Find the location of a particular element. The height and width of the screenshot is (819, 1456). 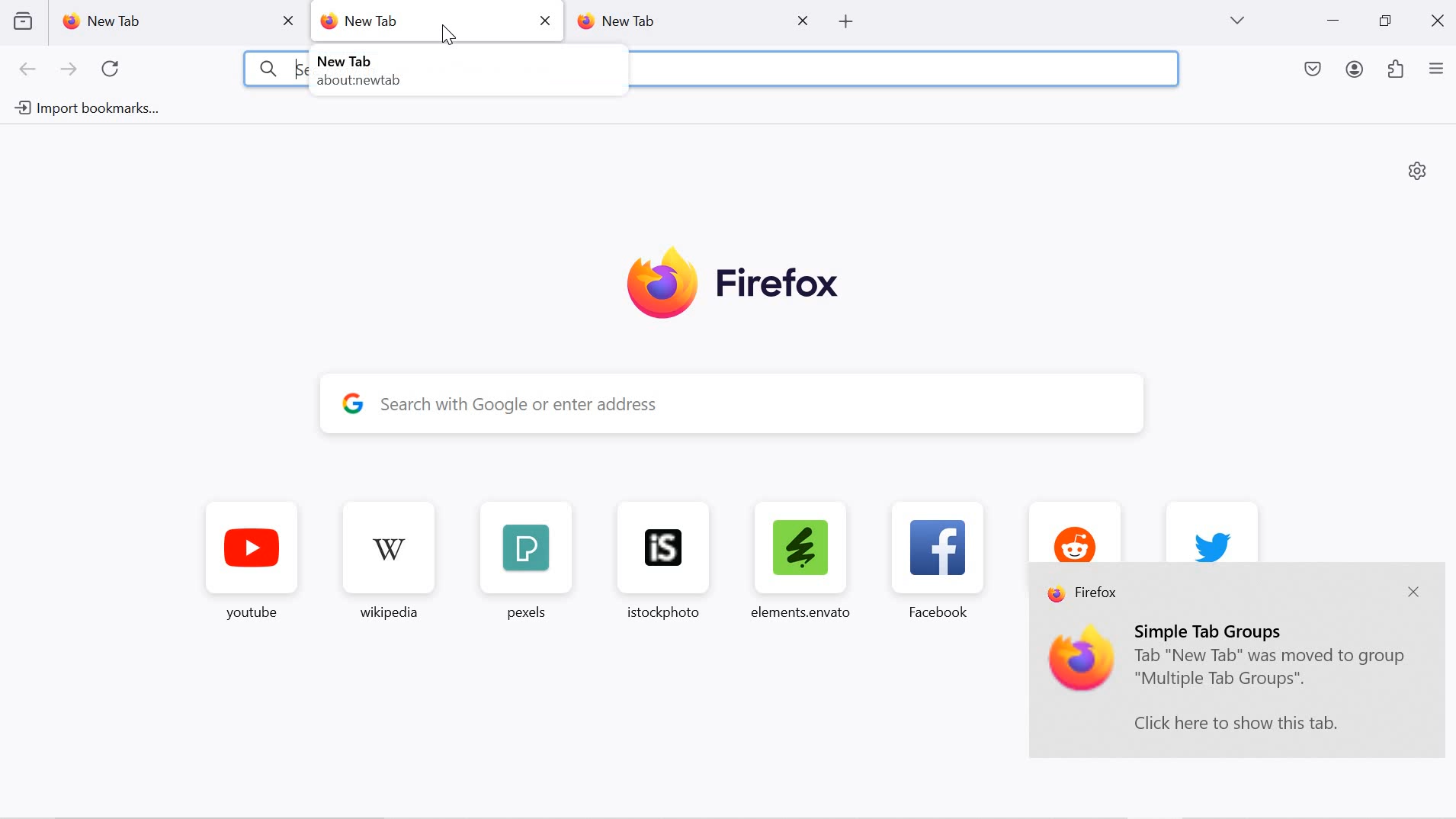

cursor is located at coordinates (450, 36).